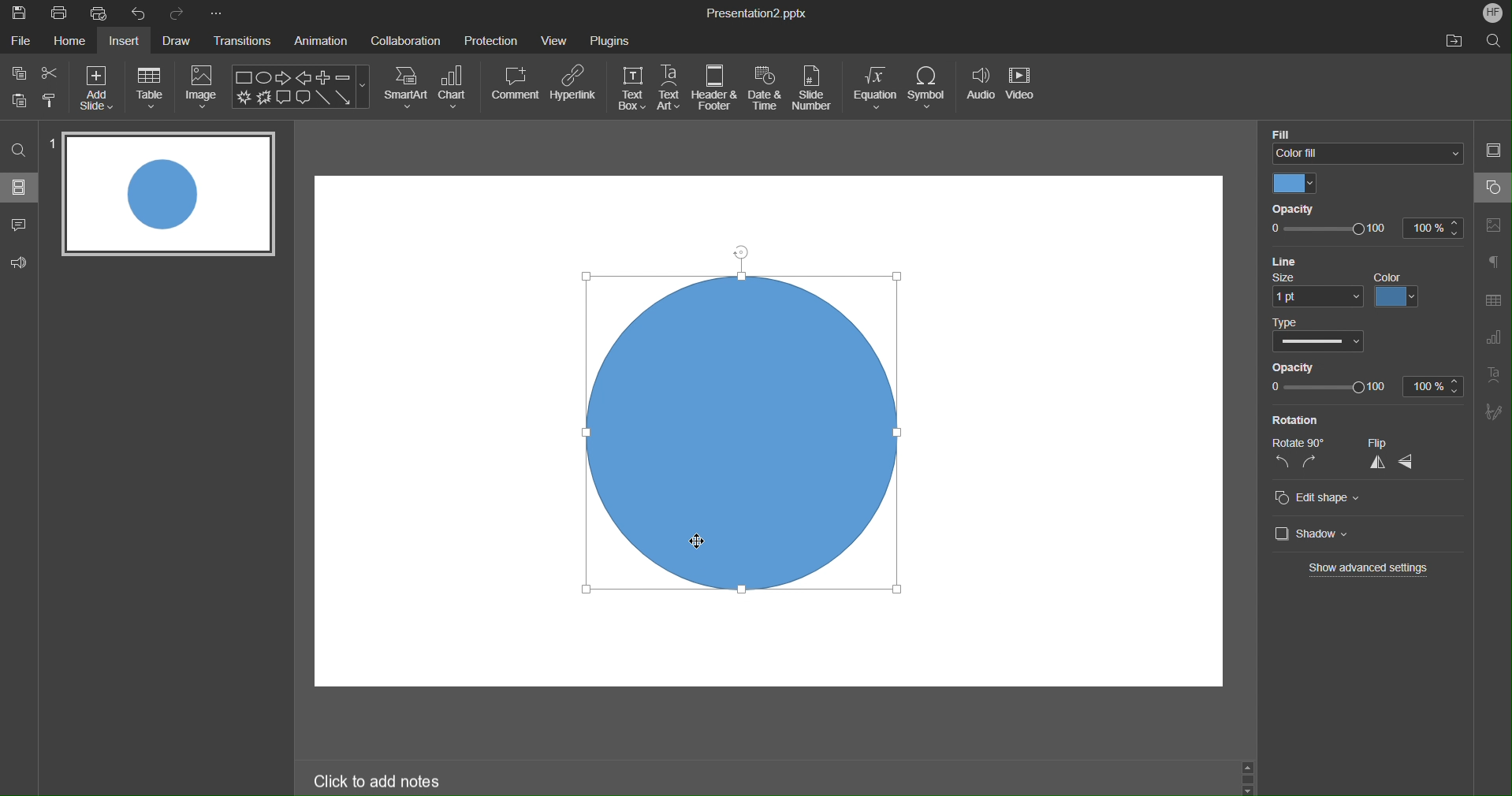 The width and height of the screenshot is (1512, 796). I want to click on Shape Menu, so click(300, 87).